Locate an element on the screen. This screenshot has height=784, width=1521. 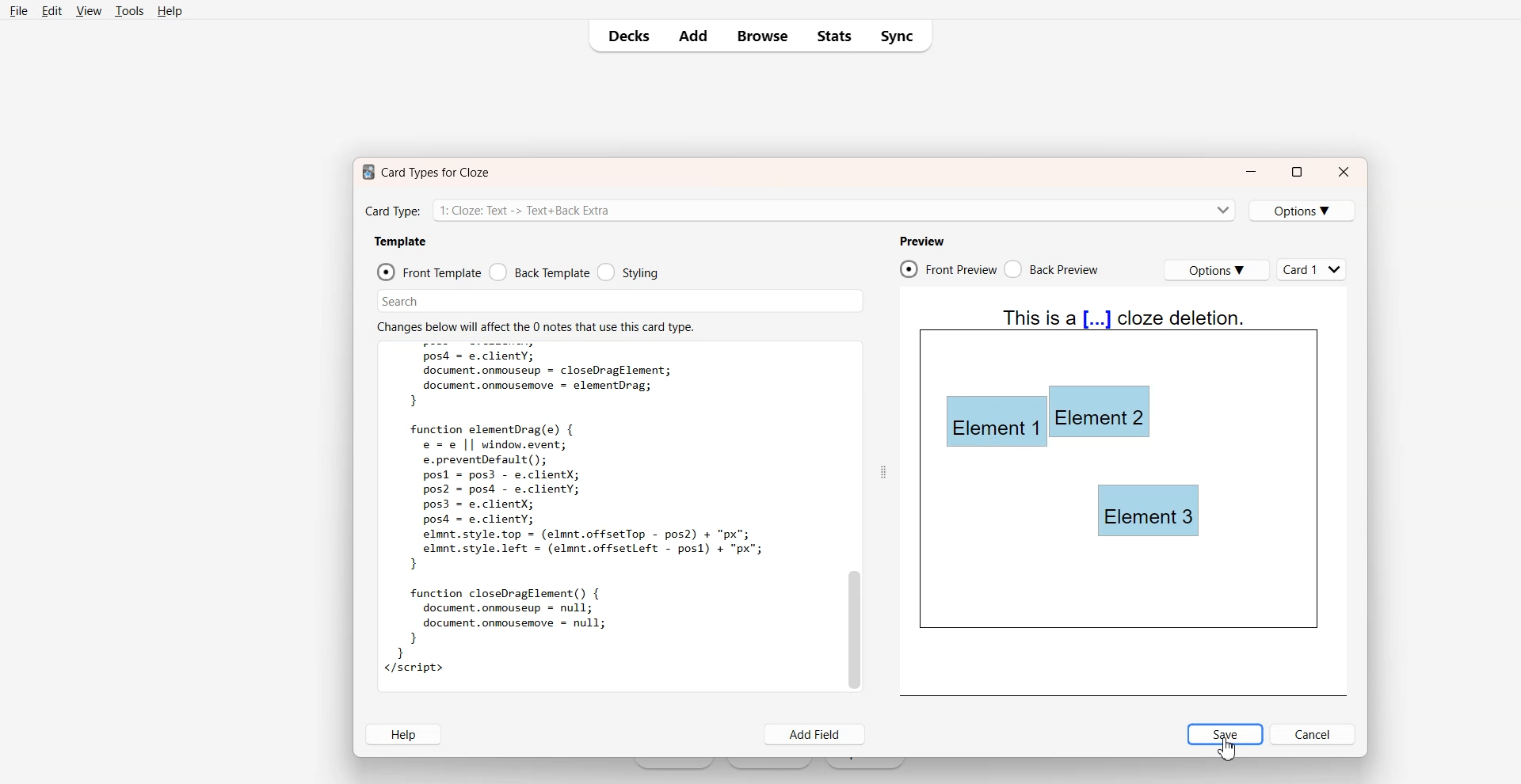
Back Template is located at coordinates (539, 272).